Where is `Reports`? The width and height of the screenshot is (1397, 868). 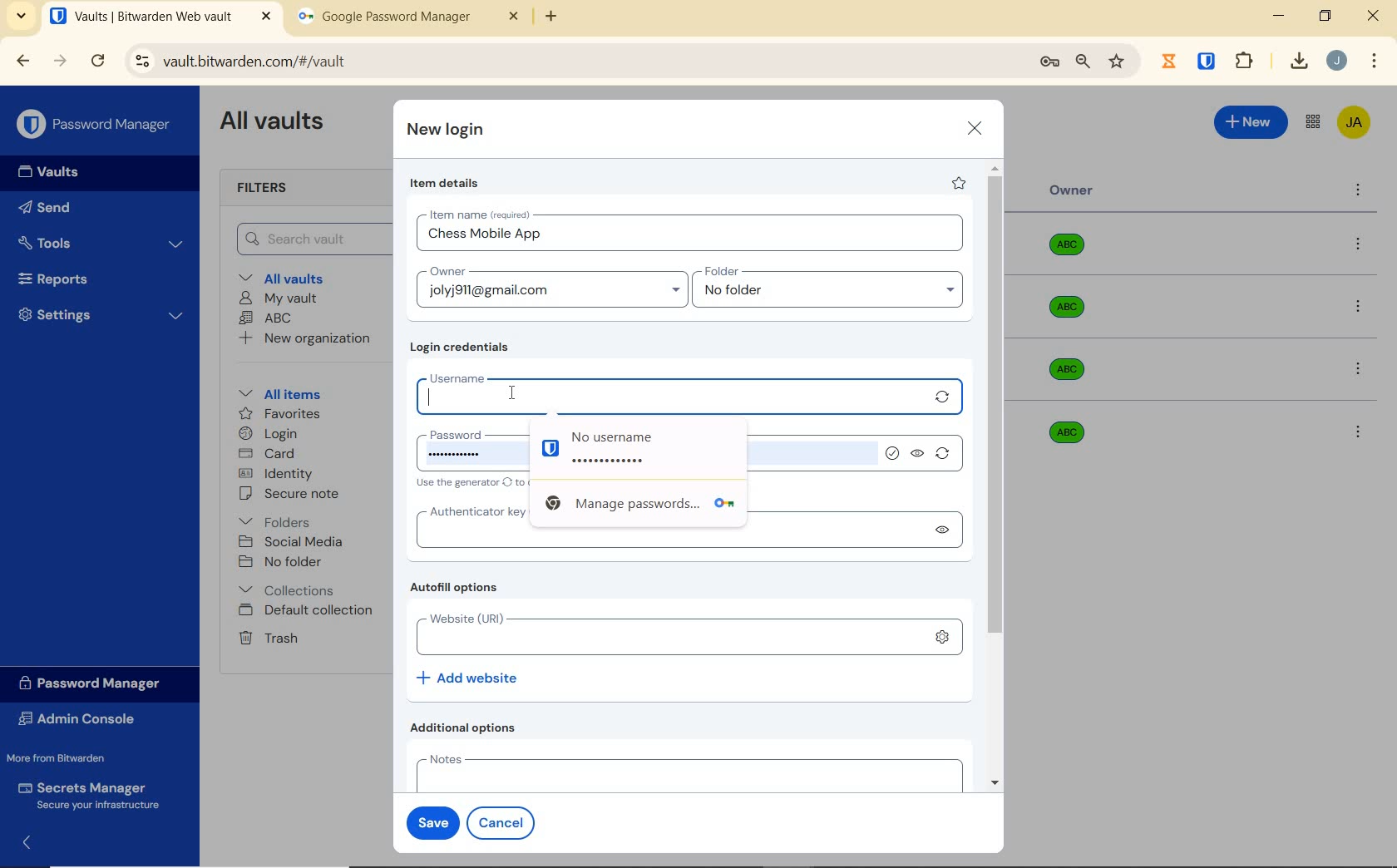 Reports is located at coordinates (72, 275).